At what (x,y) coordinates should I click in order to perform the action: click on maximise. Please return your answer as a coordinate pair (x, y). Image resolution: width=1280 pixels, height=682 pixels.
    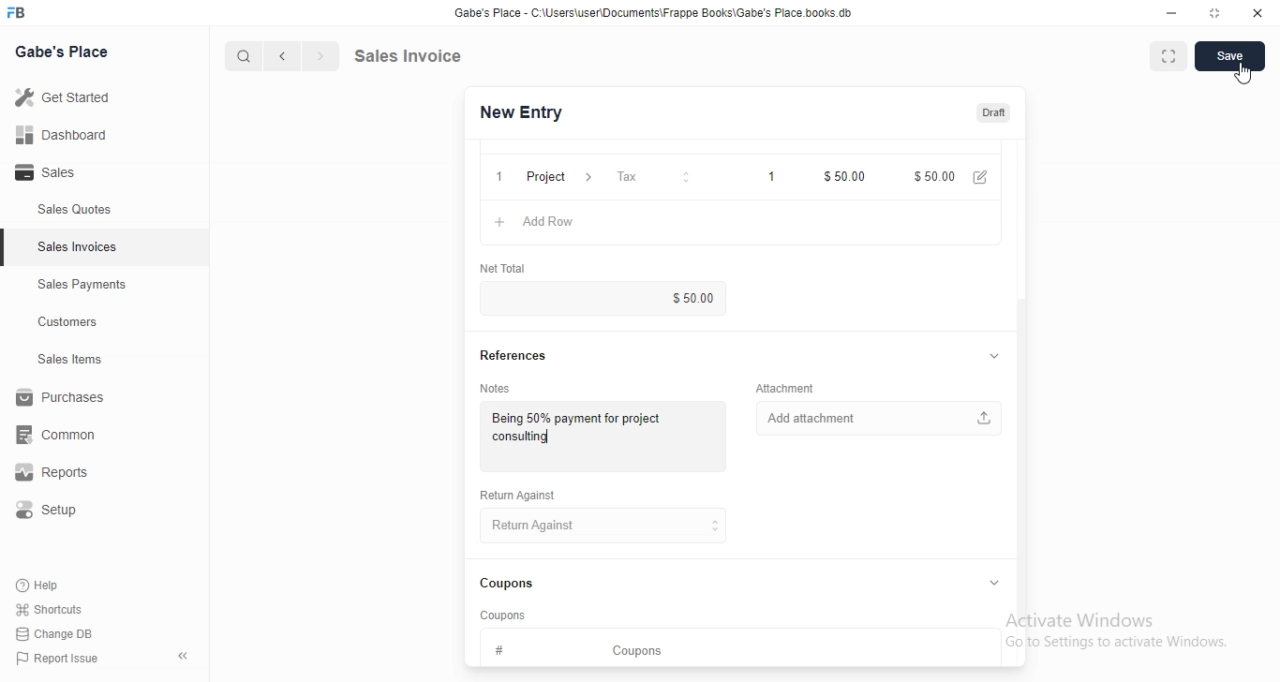
    Looking at the image, I should click on (1163, 54).